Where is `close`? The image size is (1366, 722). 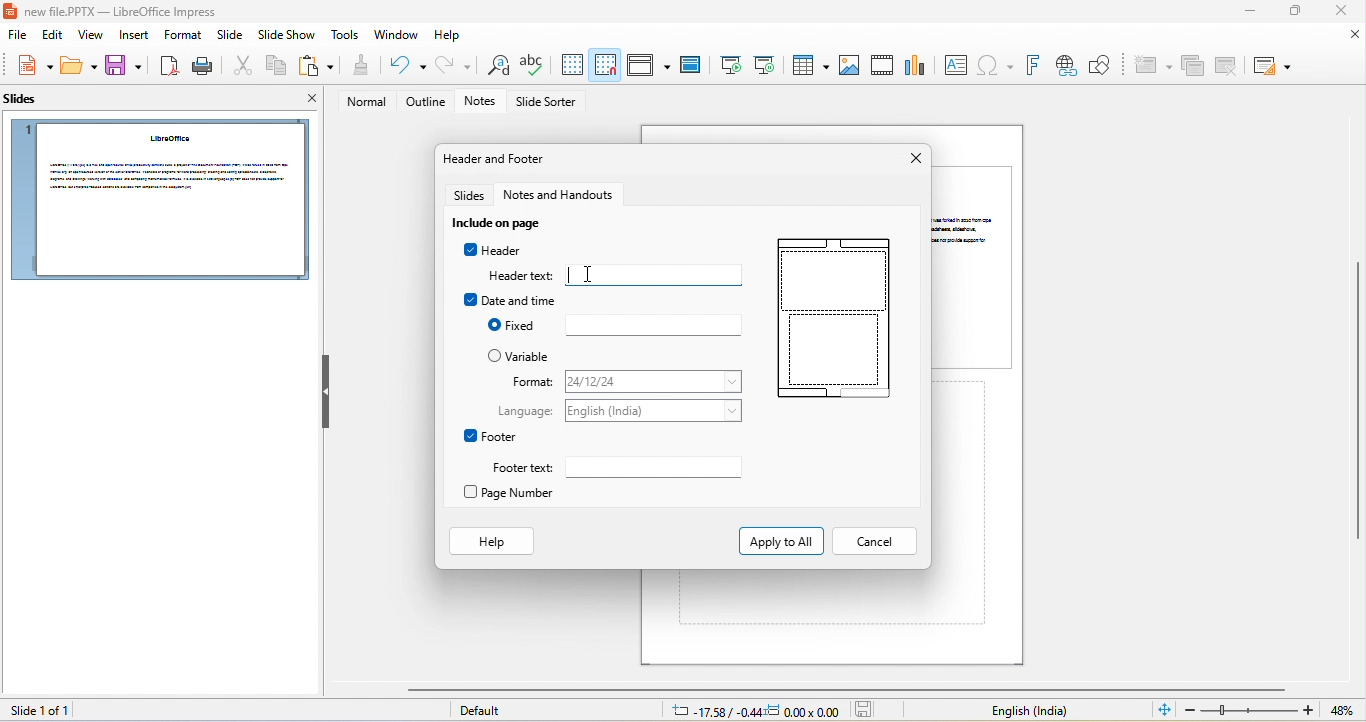 close is located at coordinates (1338, 11).